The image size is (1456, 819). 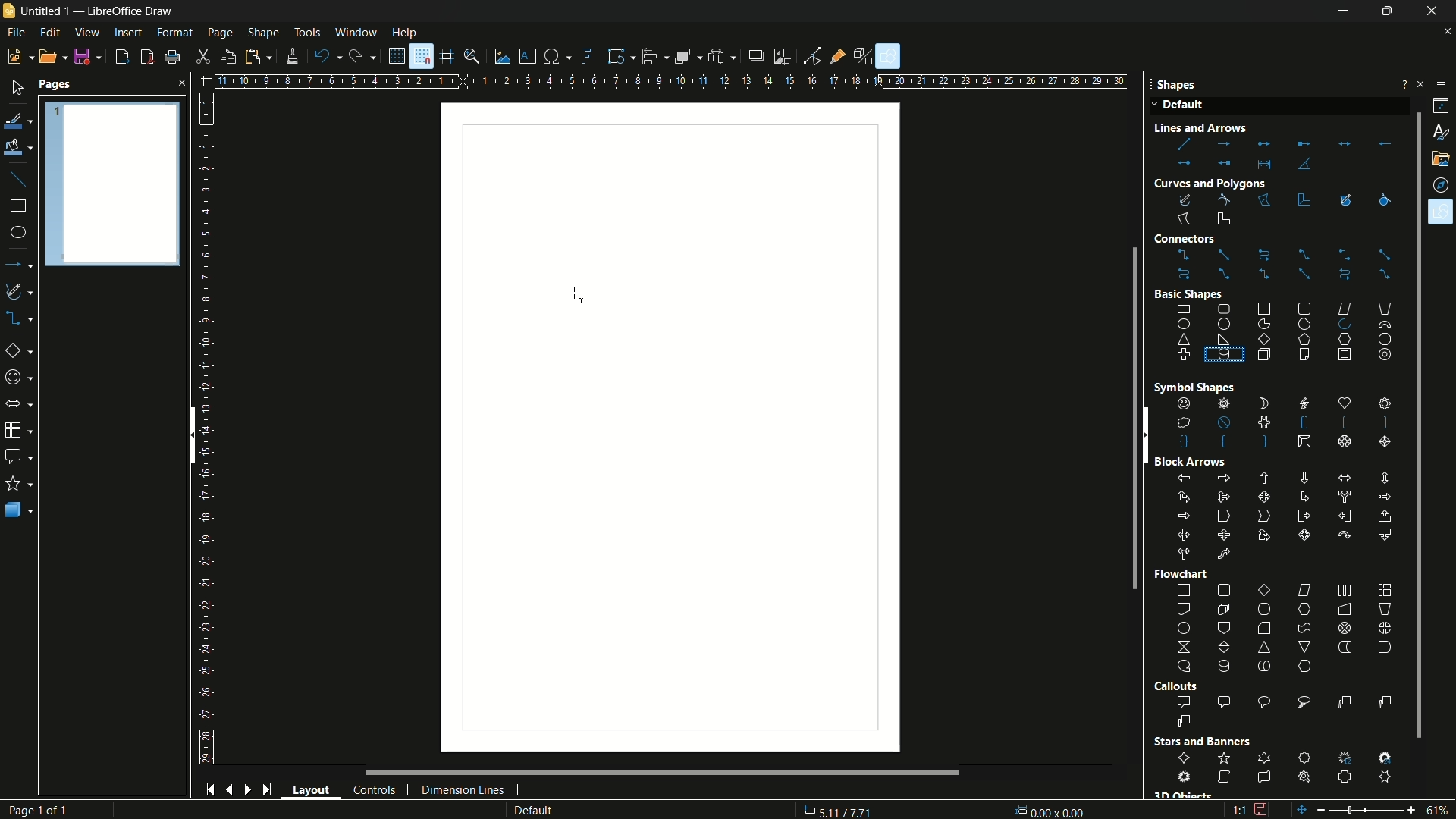 What do you see at coordinates (1261, 808) in the screenshot?
I see `document modification` at bounding box center [1261, 808].